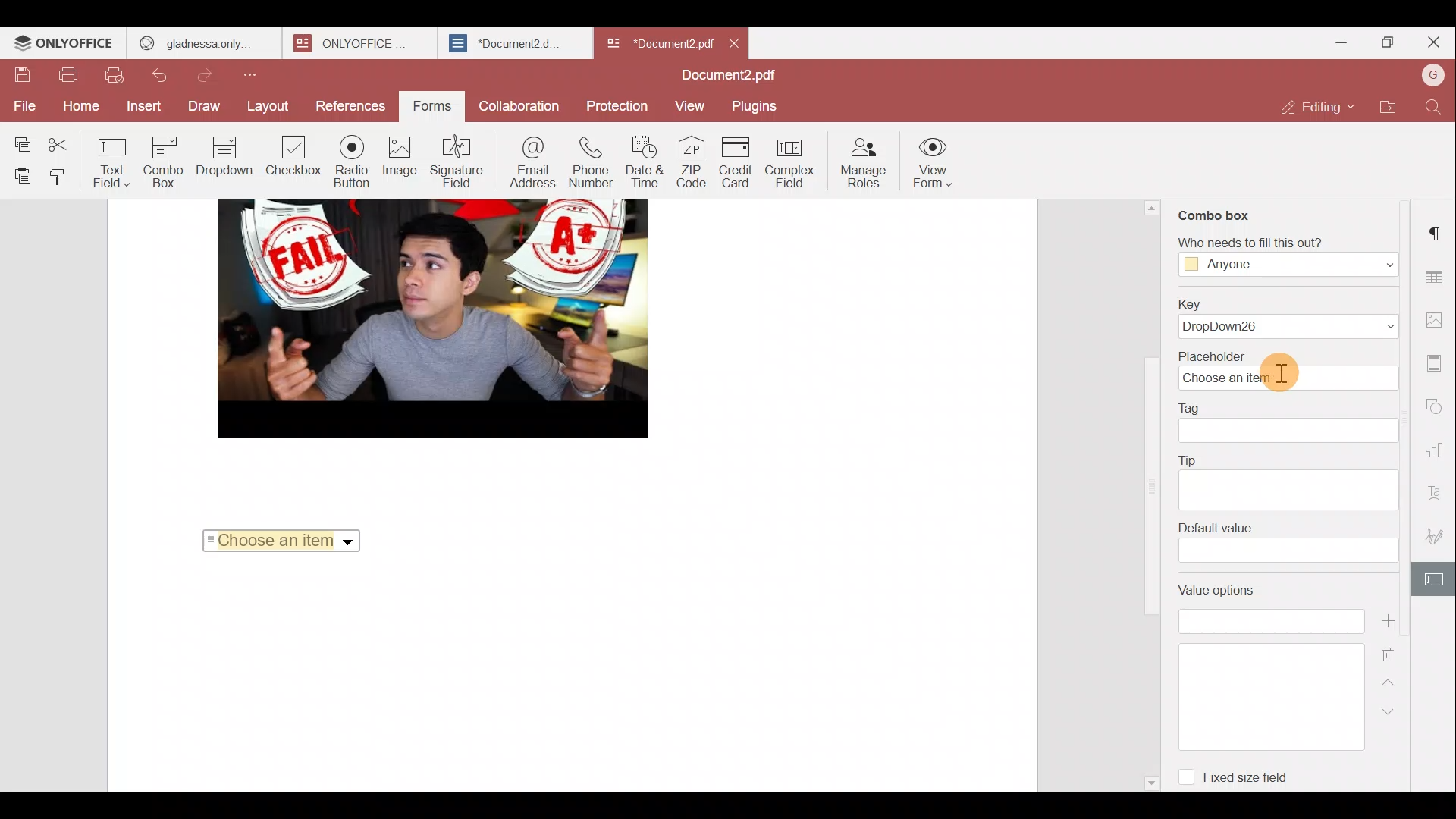 The height and width of the screenshot is (819, 1456). I want to click on Account name, so click(1429, 80).